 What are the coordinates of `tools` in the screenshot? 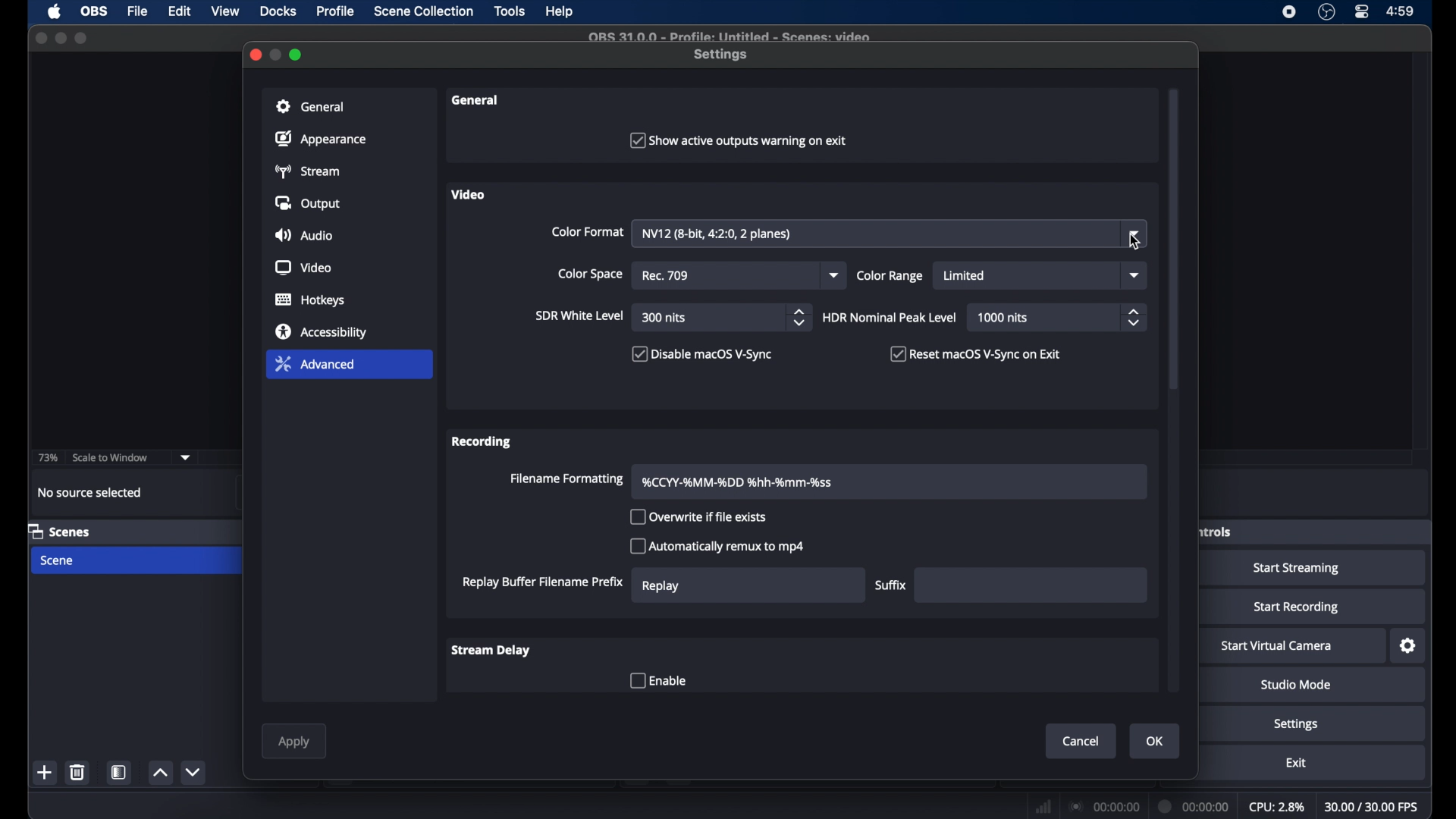 It's located at (510, 11).